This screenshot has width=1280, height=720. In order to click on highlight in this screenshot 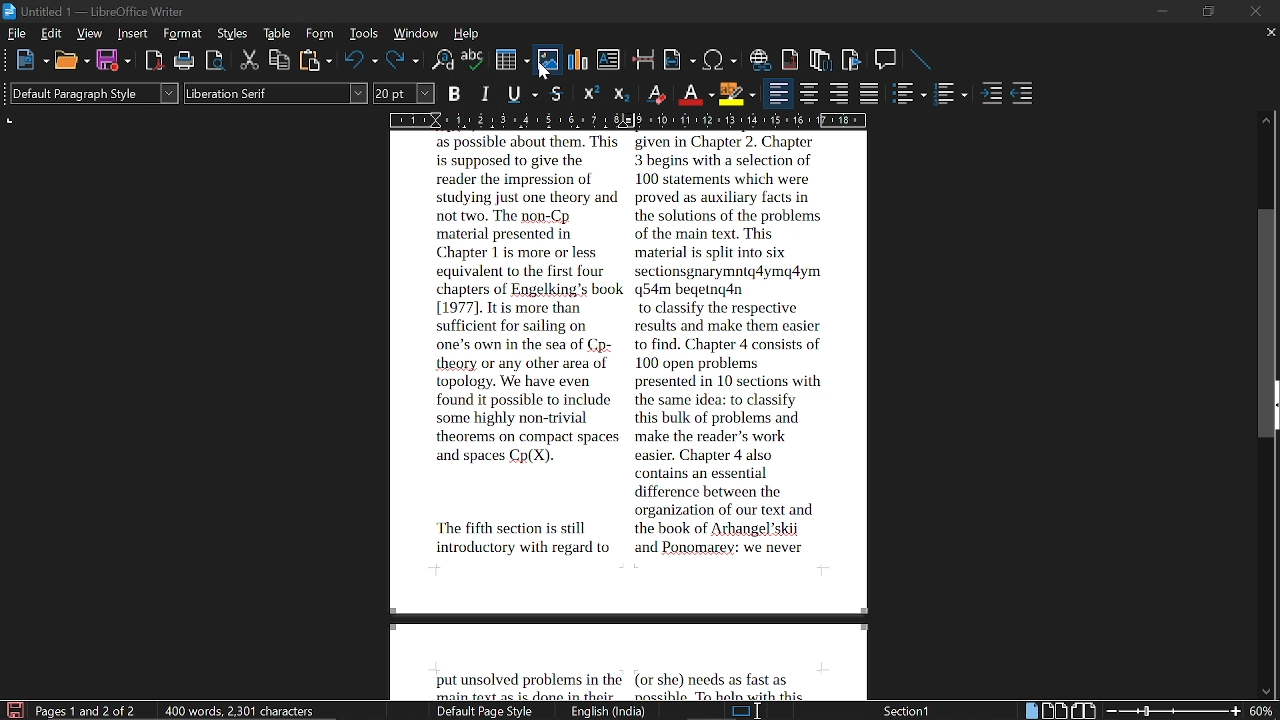, I will do `click(738, 94)`.